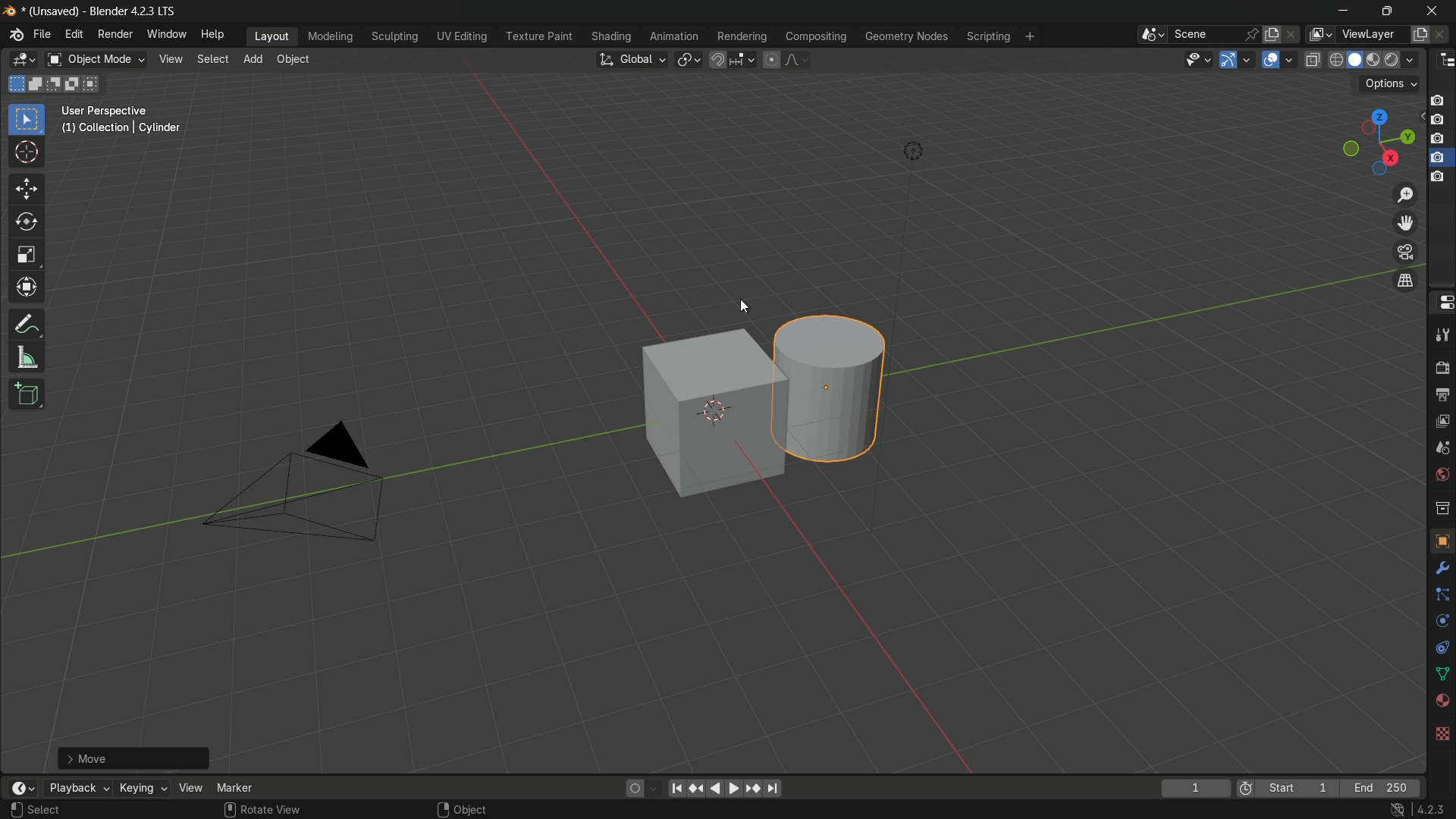 The width and height of the screenshot is (1456, 819). I want to click on switch the current view, so click(1405, 283).